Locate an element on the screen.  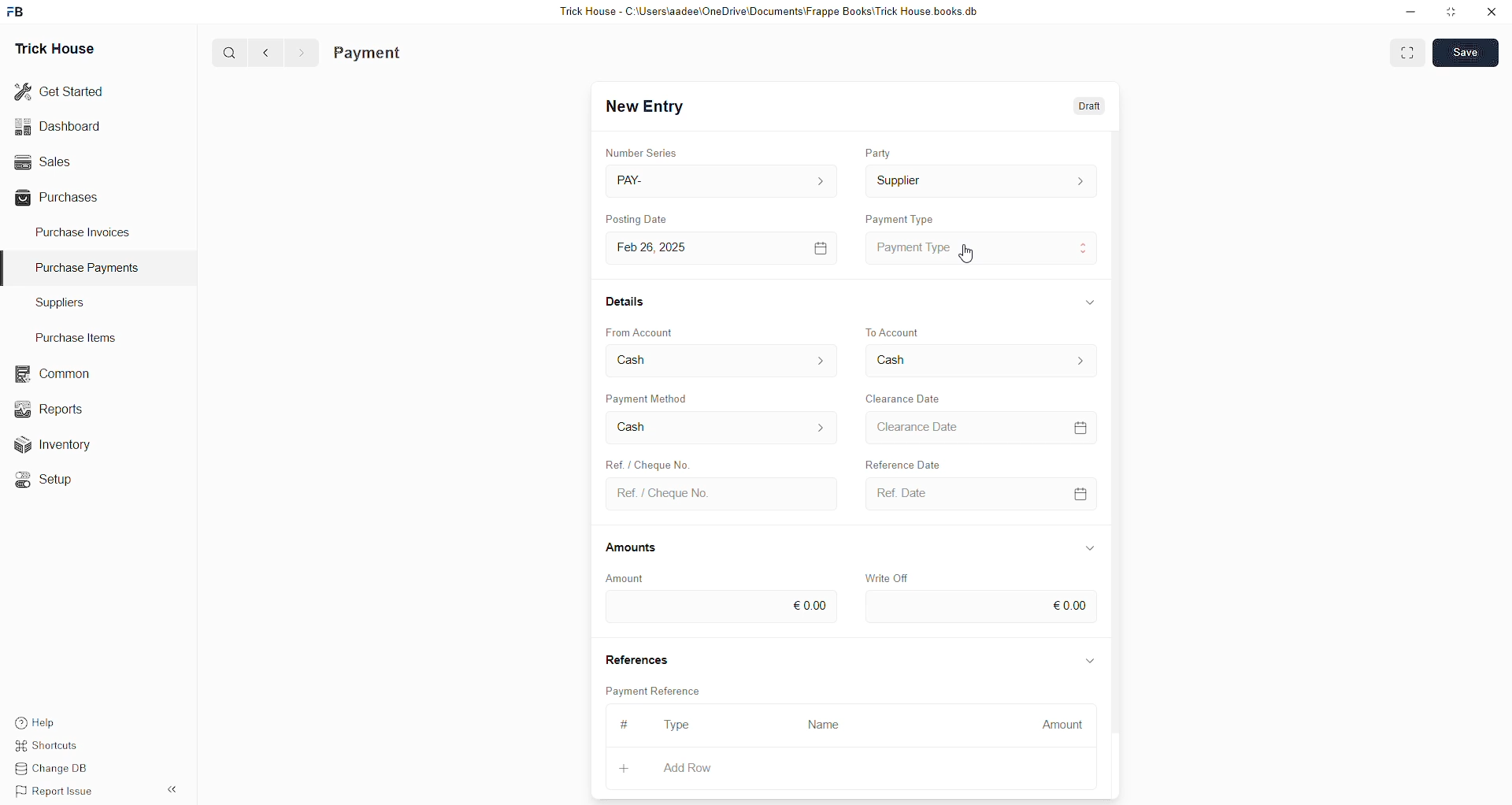
Reference Date is located at coordinates (921, 465).